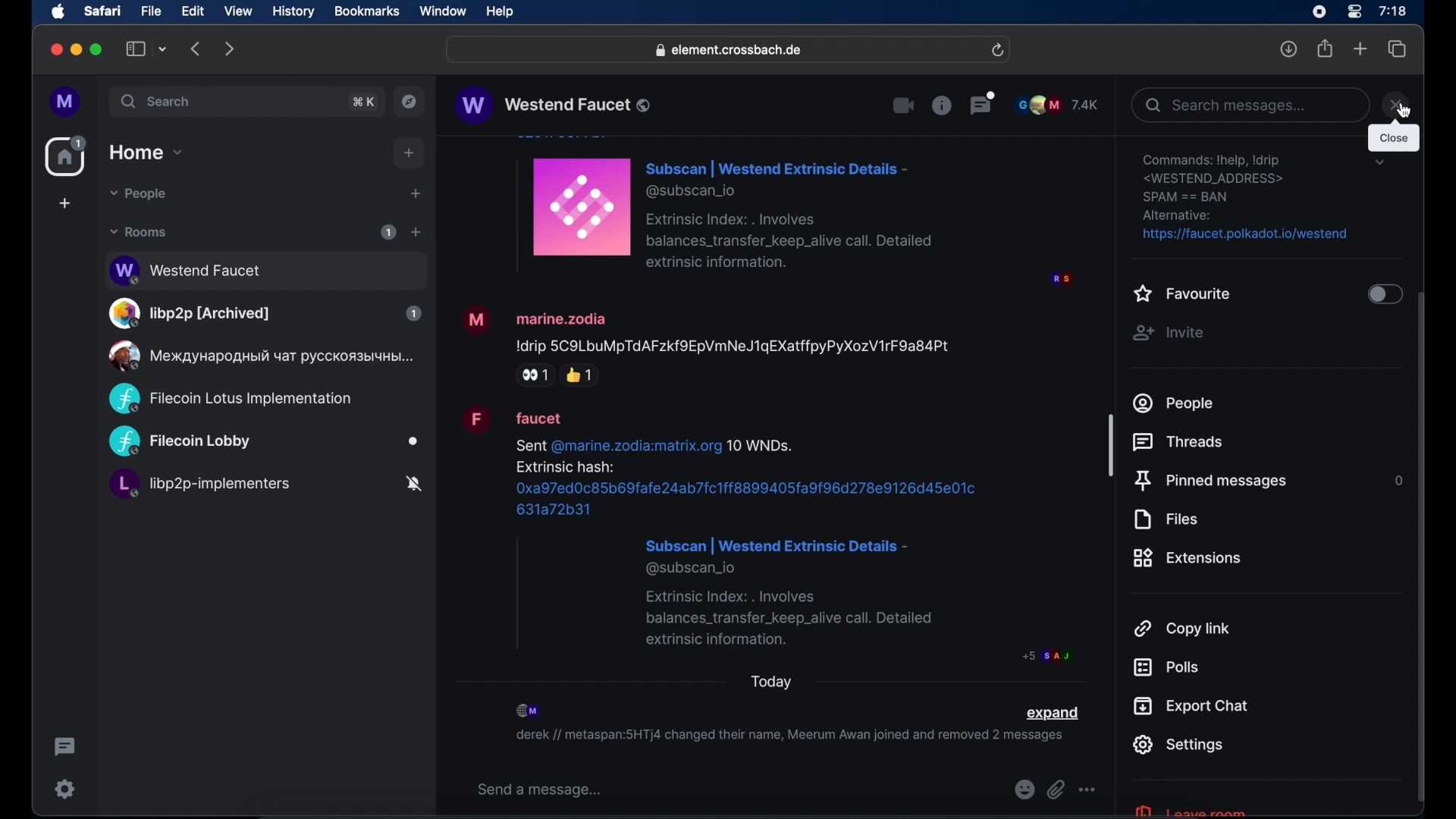  Describe the element at coordinates (136, 49) in the screenshot. I see `show sidebar` at that location.